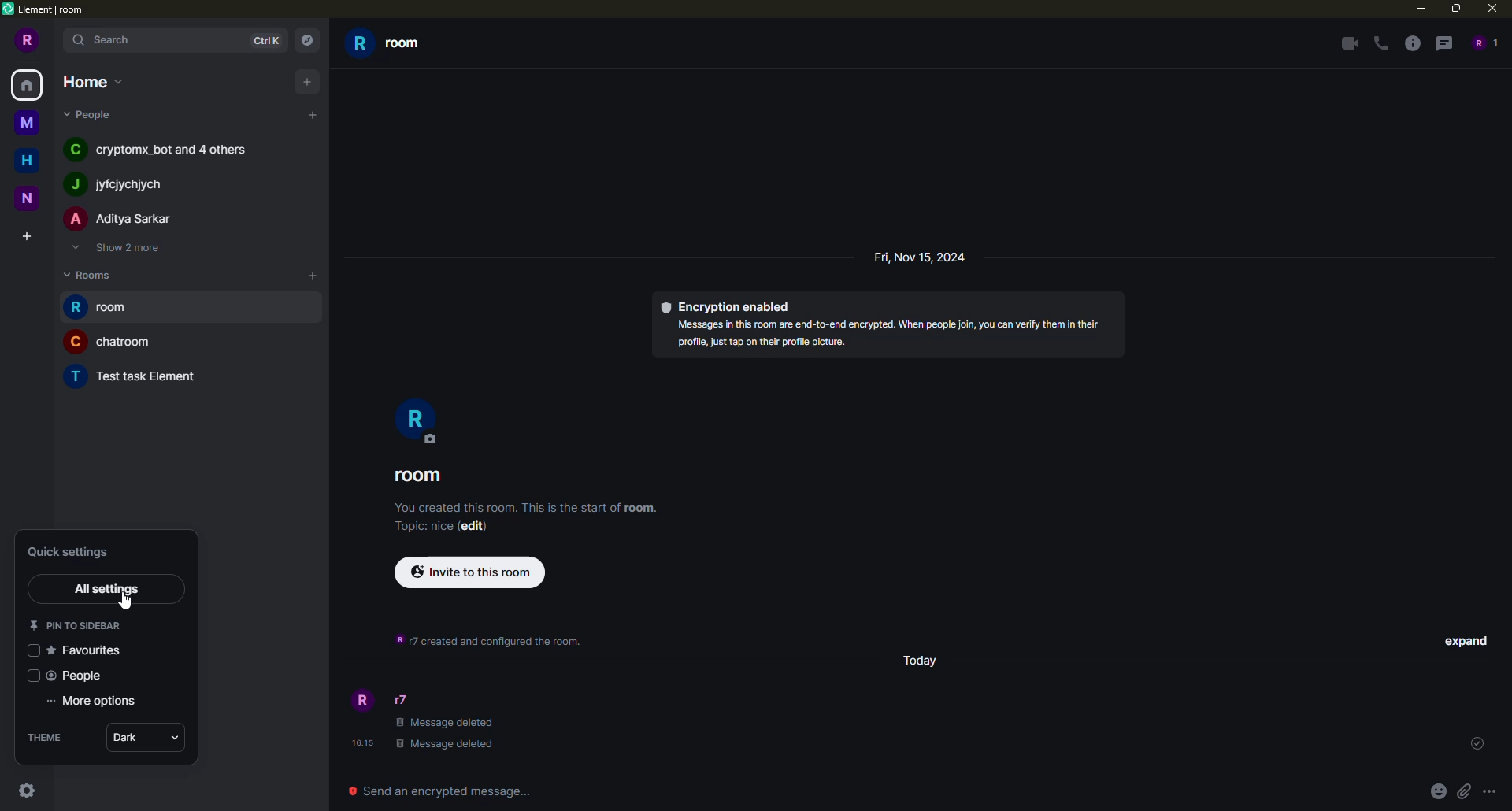  I want to click on space, so click(28, 196).